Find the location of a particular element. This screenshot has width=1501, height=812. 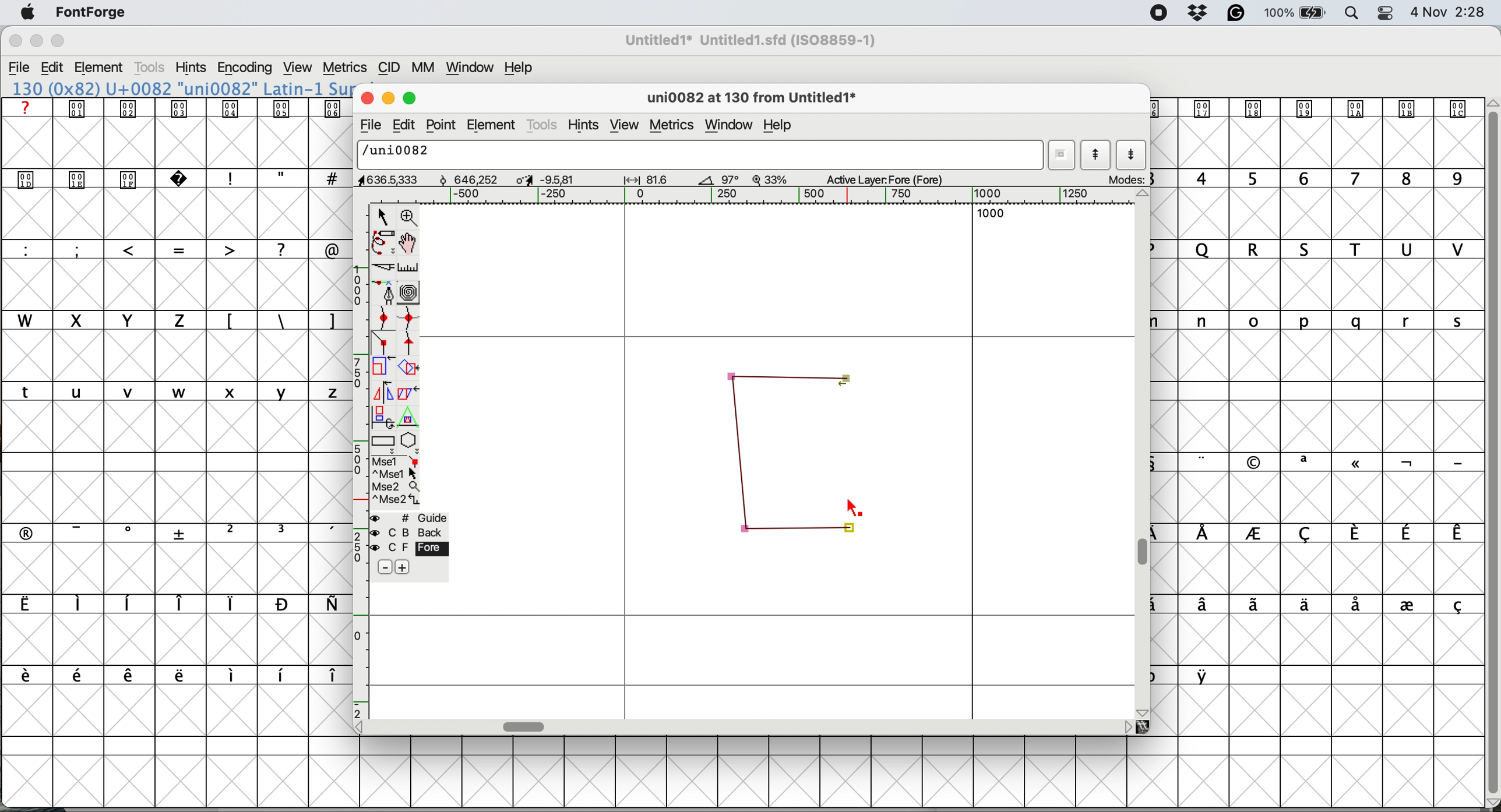

scroll button is located at coordinates (364, 726).